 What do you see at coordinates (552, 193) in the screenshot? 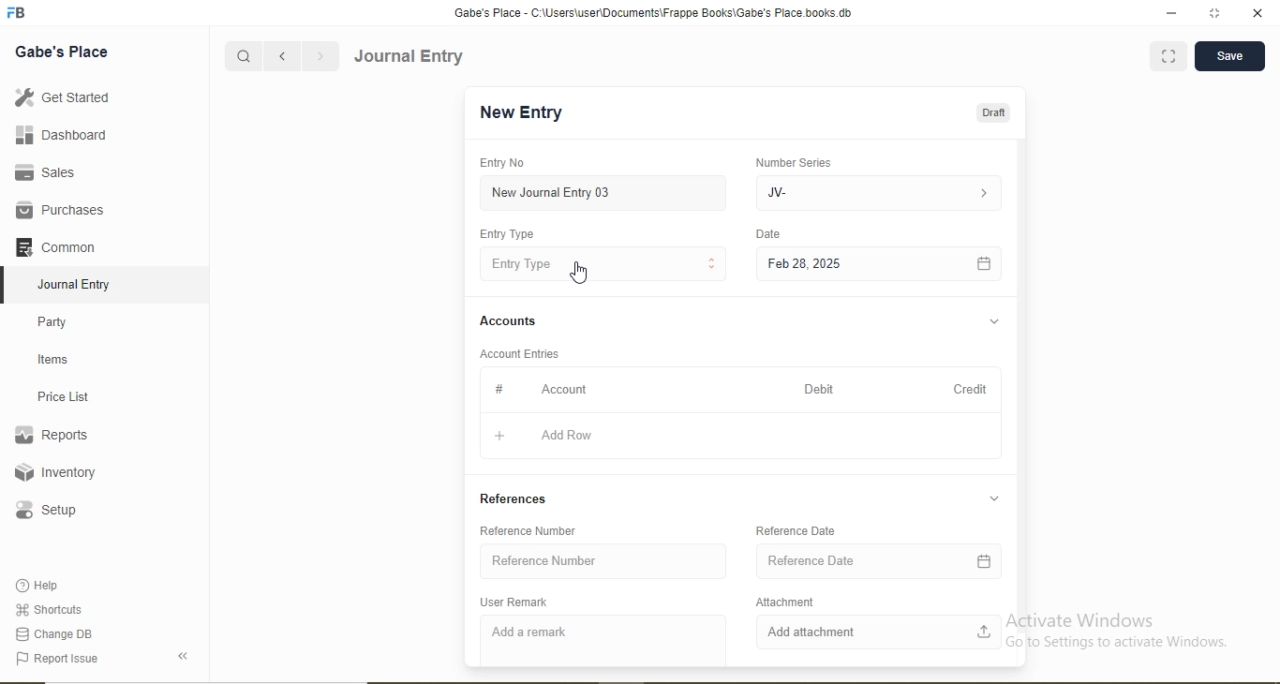
I see `New Journal Entry 03` at bounding box center [552, 193].